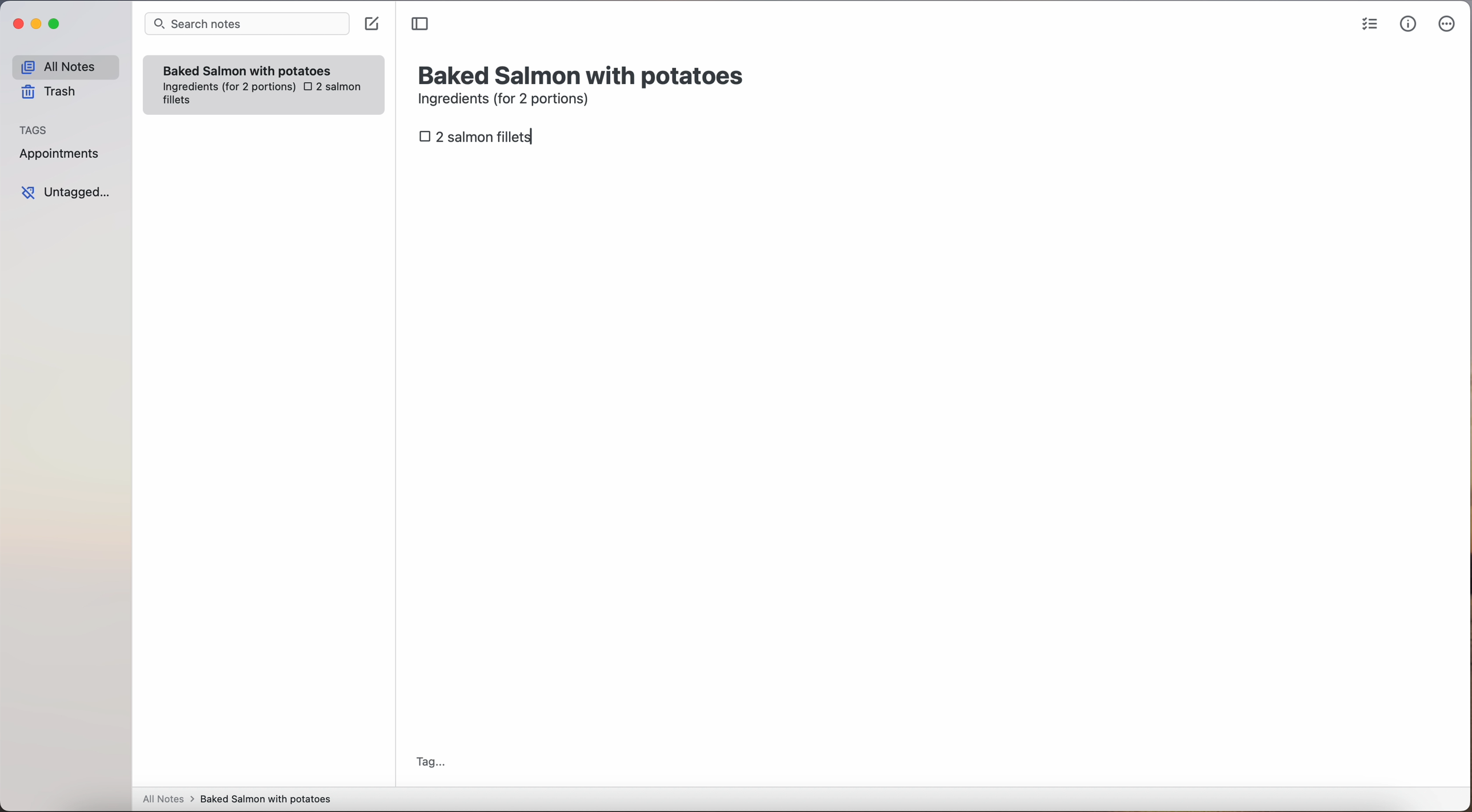  What do you see at coordinates (421, 25) in the screenshot?
I see `toggle sidebar` at bounding box center [421, 25].